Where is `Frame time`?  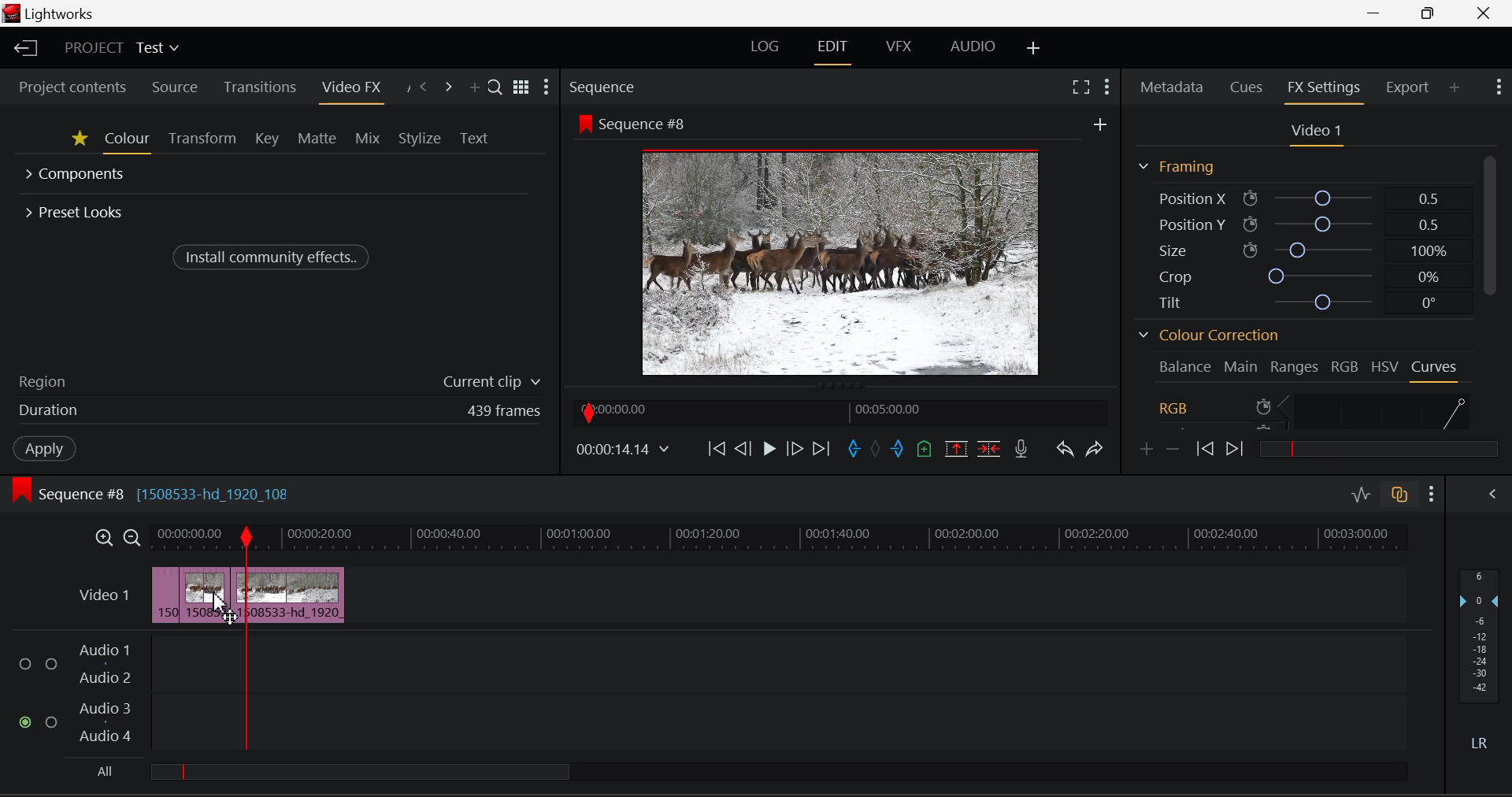
Frame time is located at coordinates (625, 451).